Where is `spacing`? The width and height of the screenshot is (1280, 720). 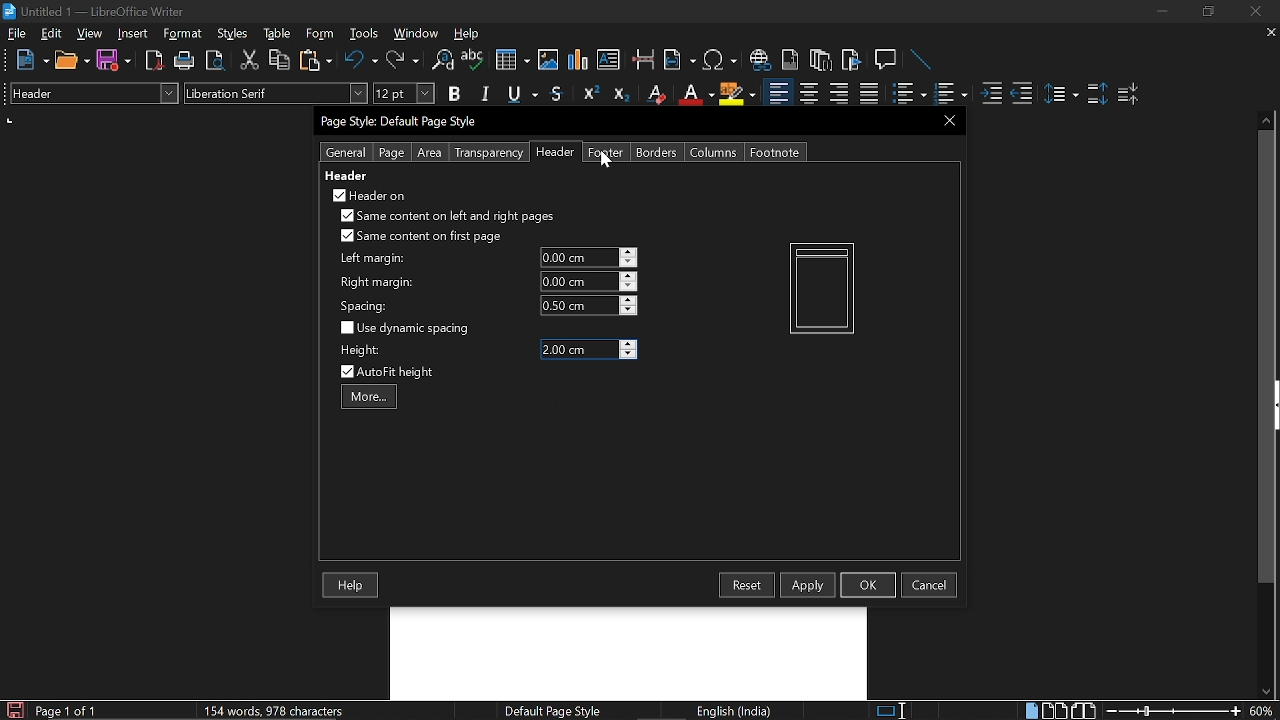
spacing is located at coordinates (367, 306).